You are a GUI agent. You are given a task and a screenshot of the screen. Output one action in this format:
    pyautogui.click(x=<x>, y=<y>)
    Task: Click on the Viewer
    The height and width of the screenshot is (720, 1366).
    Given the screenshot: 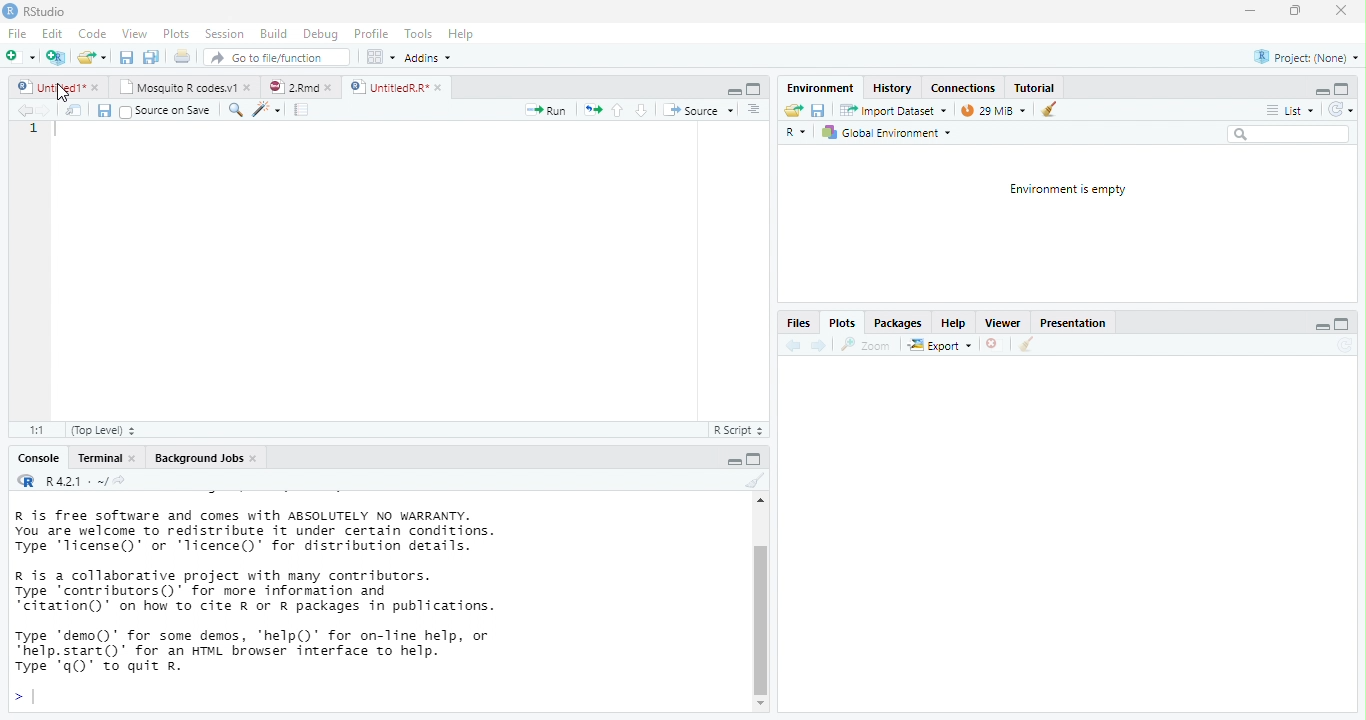 What is the action you would take?
    pyautogui.click(x=1002, y=323)
    